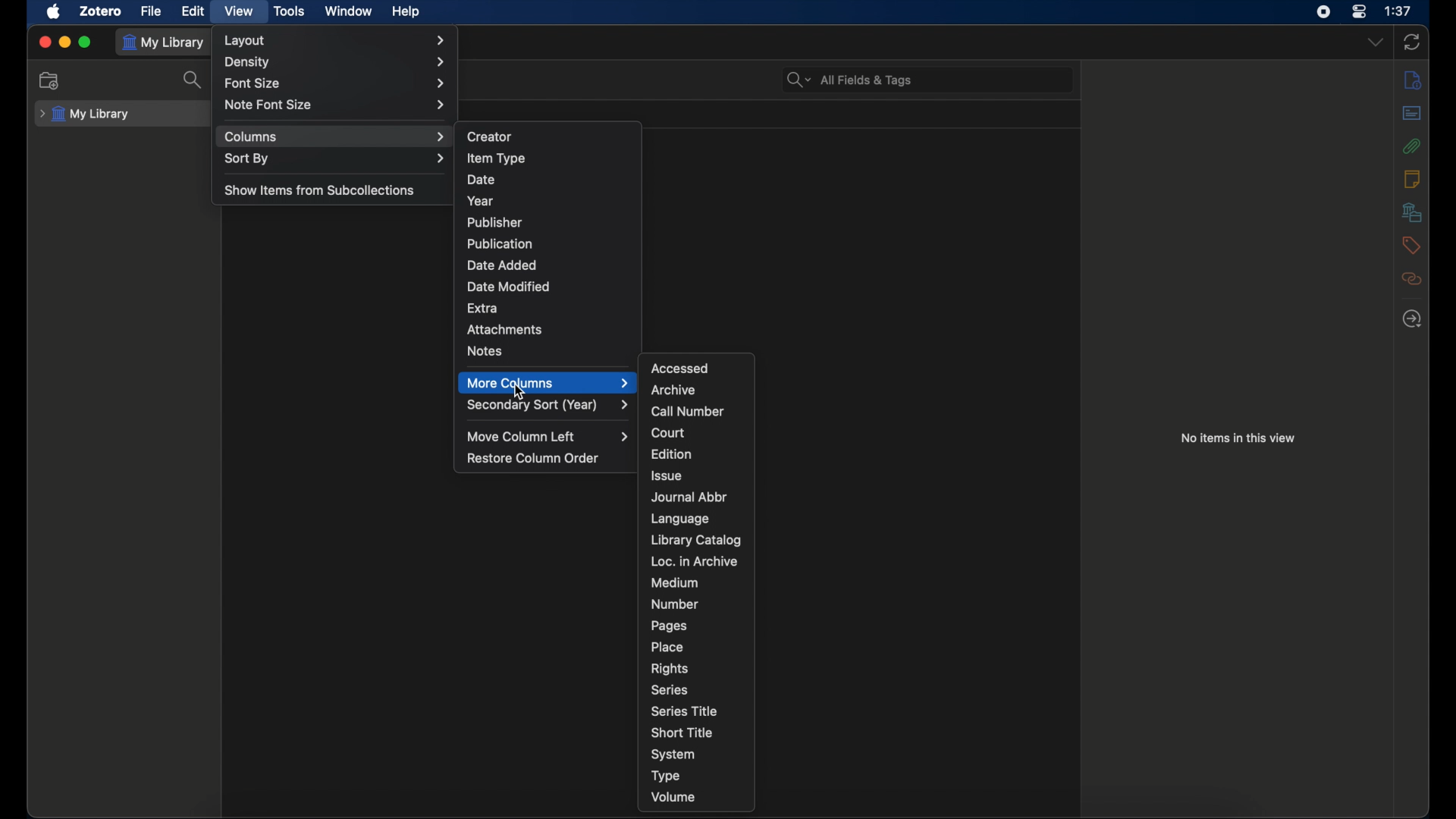  I want to click on date, so click(481, 180).